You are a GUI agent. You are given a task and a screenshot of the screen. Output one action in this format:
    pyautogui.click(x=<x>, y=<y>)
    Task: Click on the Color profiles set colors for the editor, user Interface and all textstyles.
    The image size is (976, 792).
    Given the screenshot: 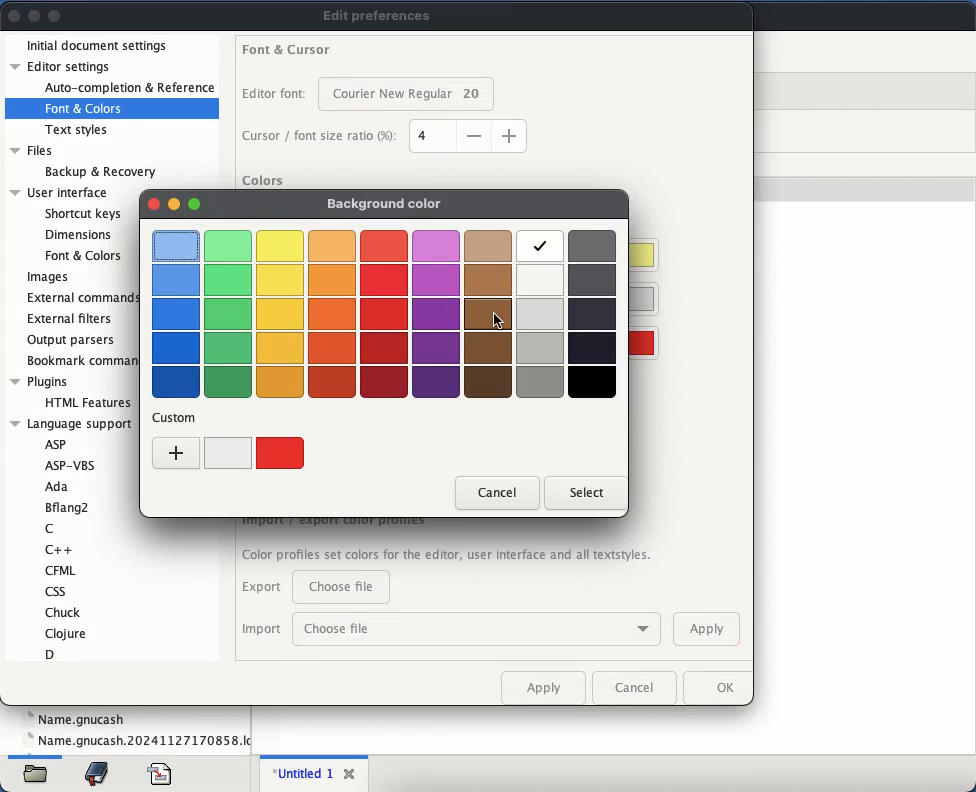 What is the action you would take?
    pyautogui.click(x=449, y=556)
    